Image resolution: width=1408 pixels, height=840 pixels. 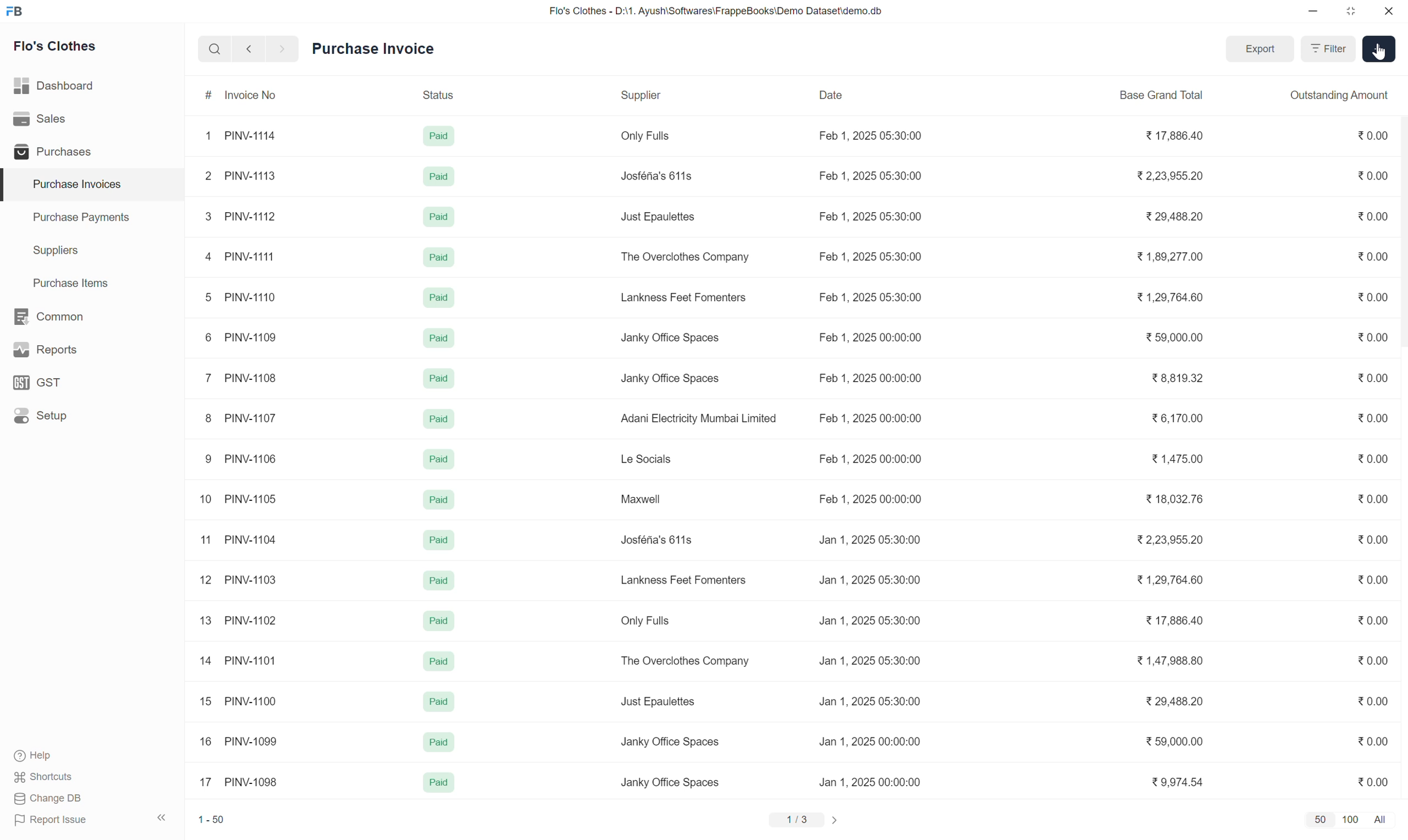 I want to click on Feb 1, 2025 00:00:00, so click(x=871, y=418).